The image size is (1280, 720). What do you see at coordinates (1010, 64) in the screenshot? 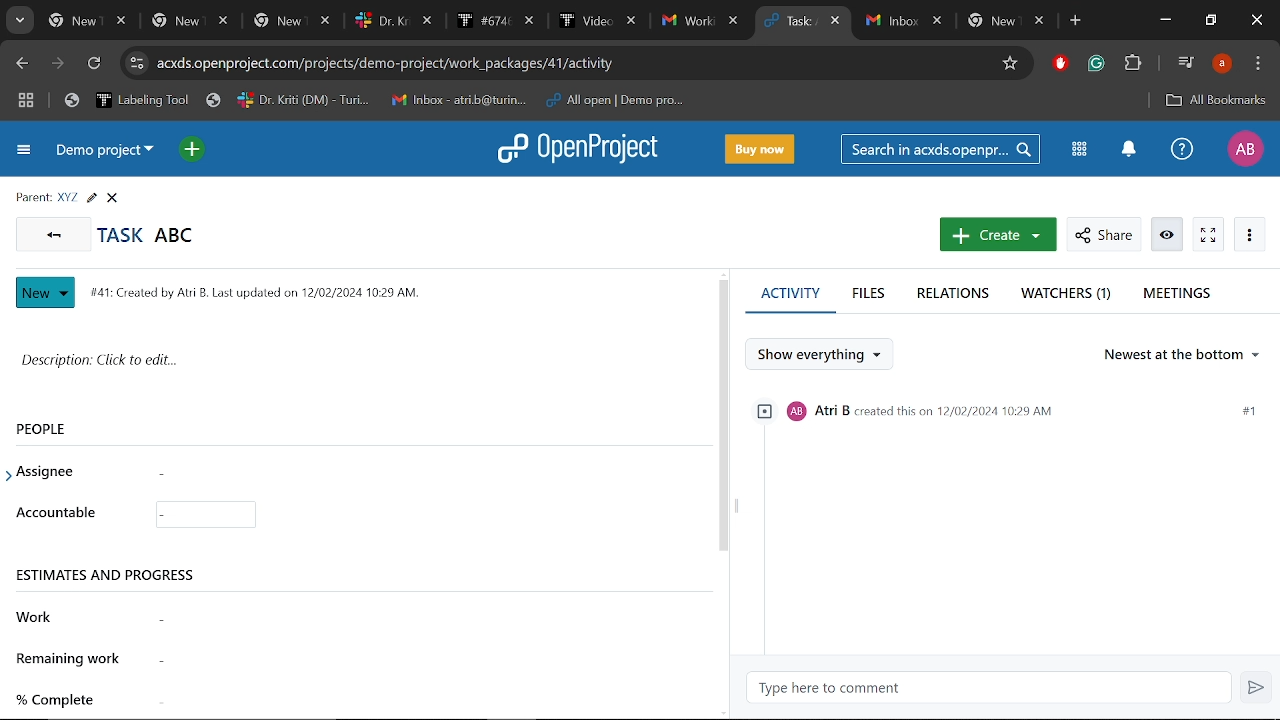
I see `Add/remove bookmark` at bounding box center [1010, 64].